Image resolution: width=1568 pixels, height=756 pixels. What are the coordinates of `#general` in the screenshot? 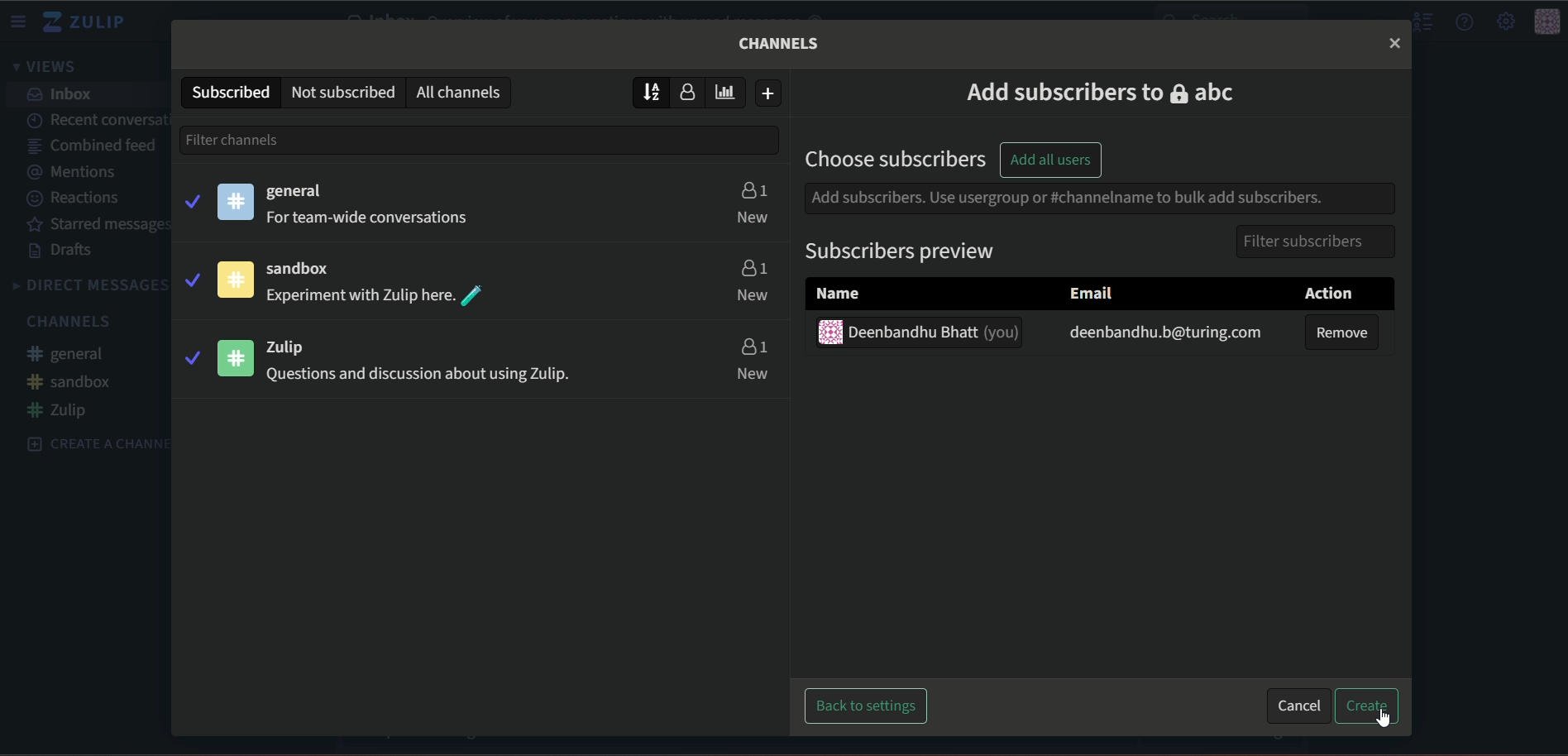 It's located at (74, 356).